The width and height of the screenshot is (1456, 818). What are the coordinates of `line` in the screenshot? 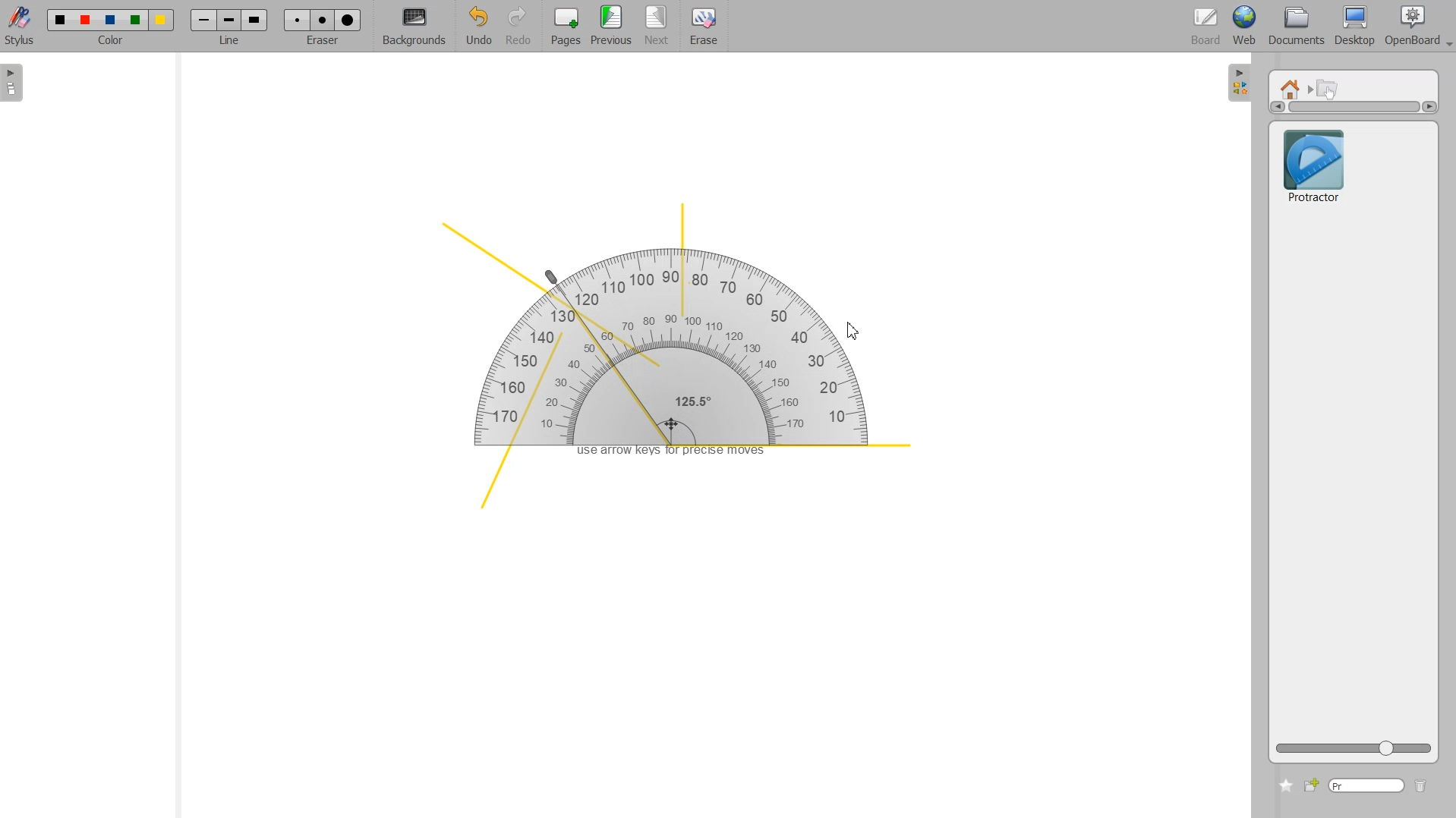 It's located at (232, 42).